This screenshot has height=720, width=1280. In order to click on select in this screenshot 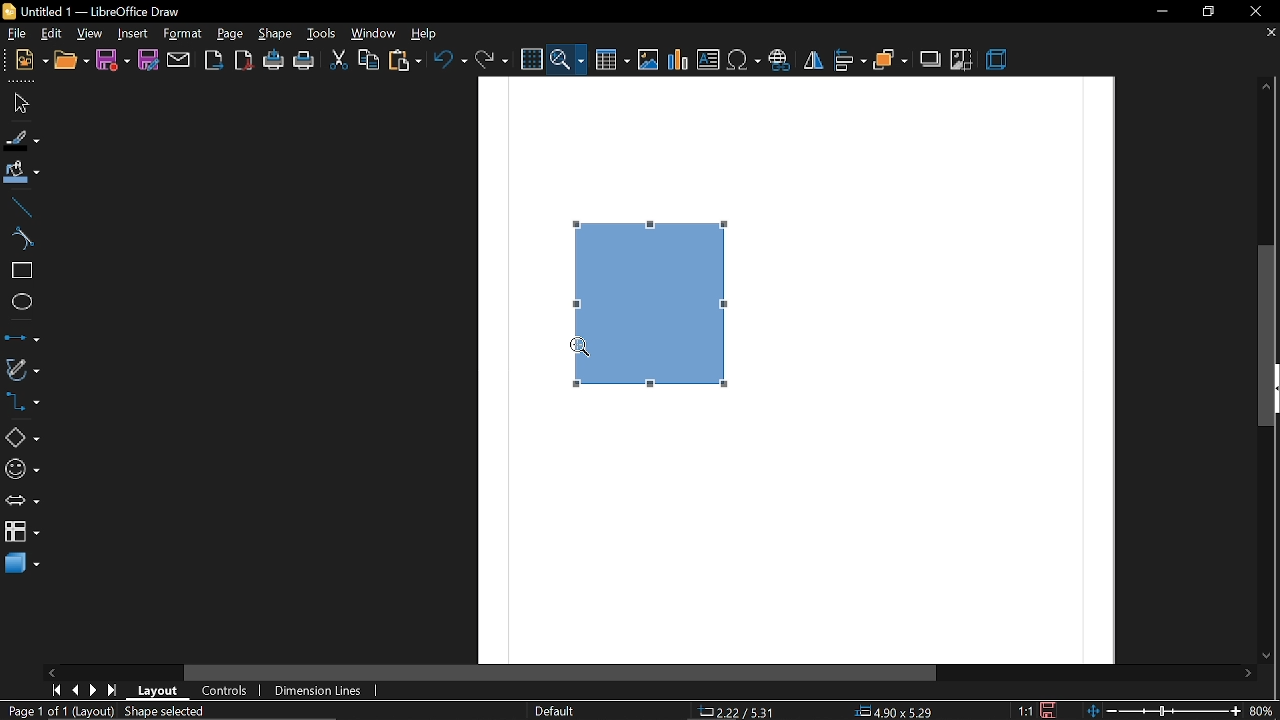, I will do `click(21, 104)`.